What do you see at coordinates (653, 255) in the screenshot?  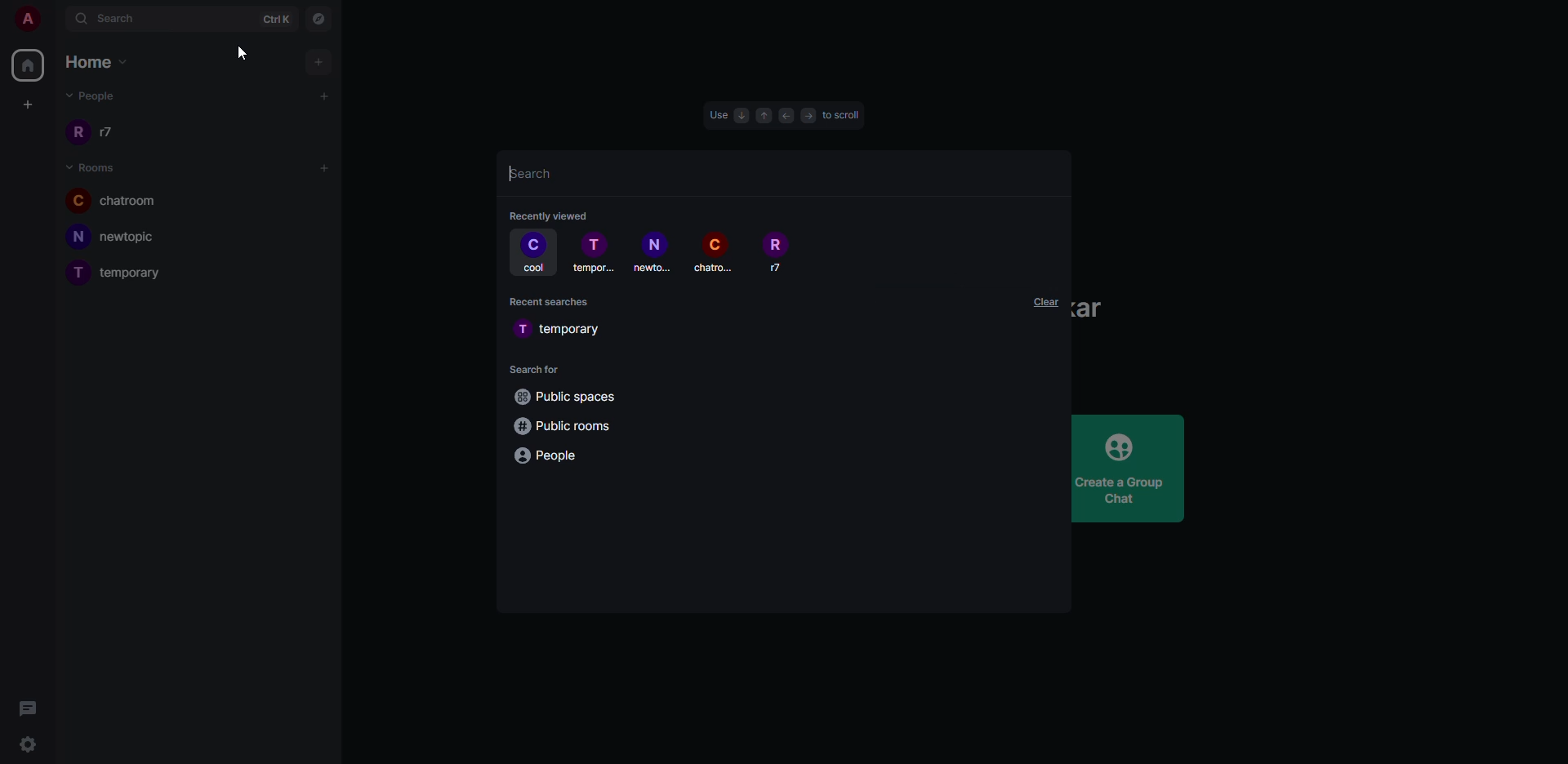 I see `room` at bounding box center [653, 255].